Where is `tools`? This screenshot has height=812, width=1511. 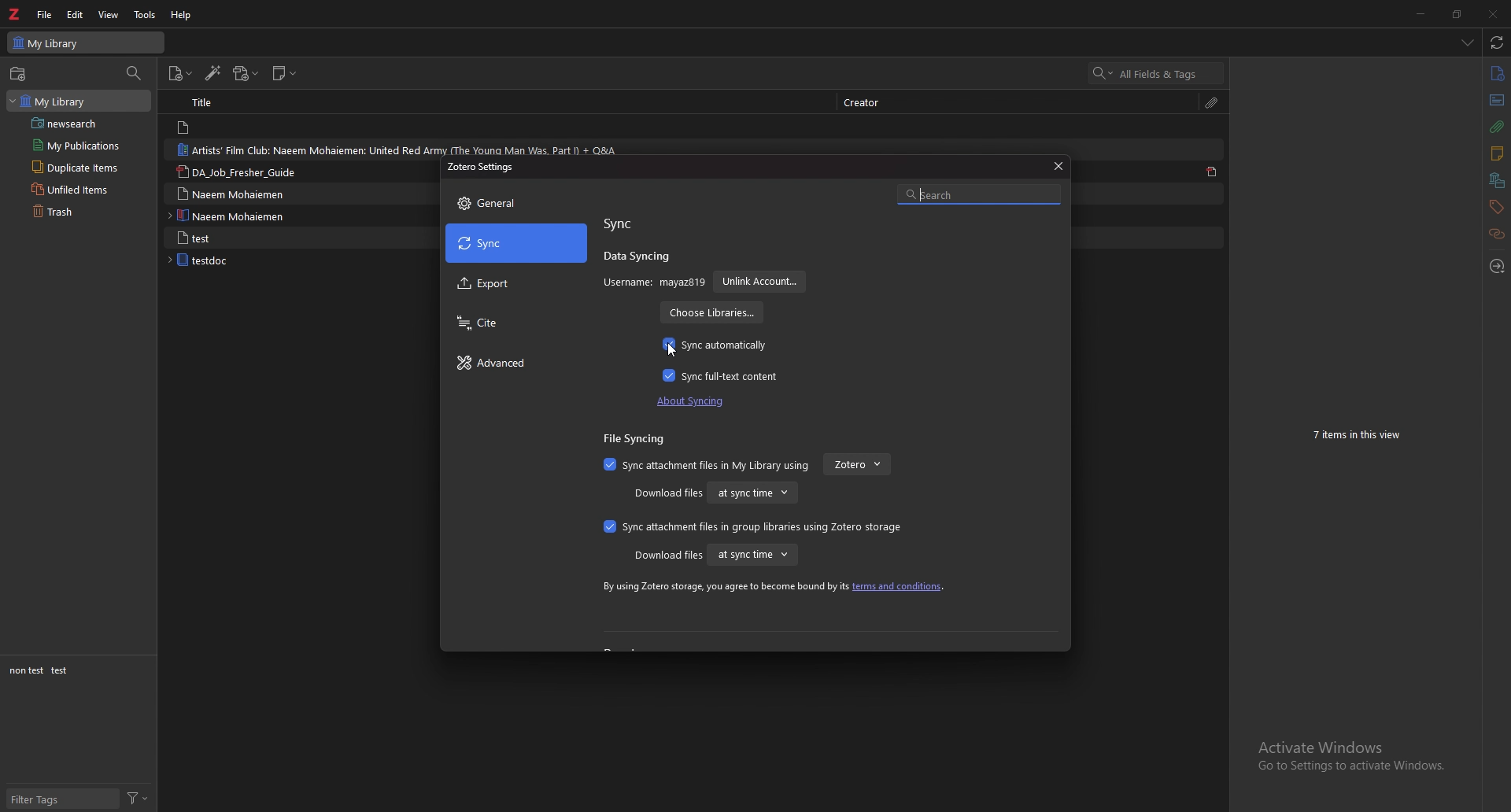
tools is located at coordinates (145, 14).